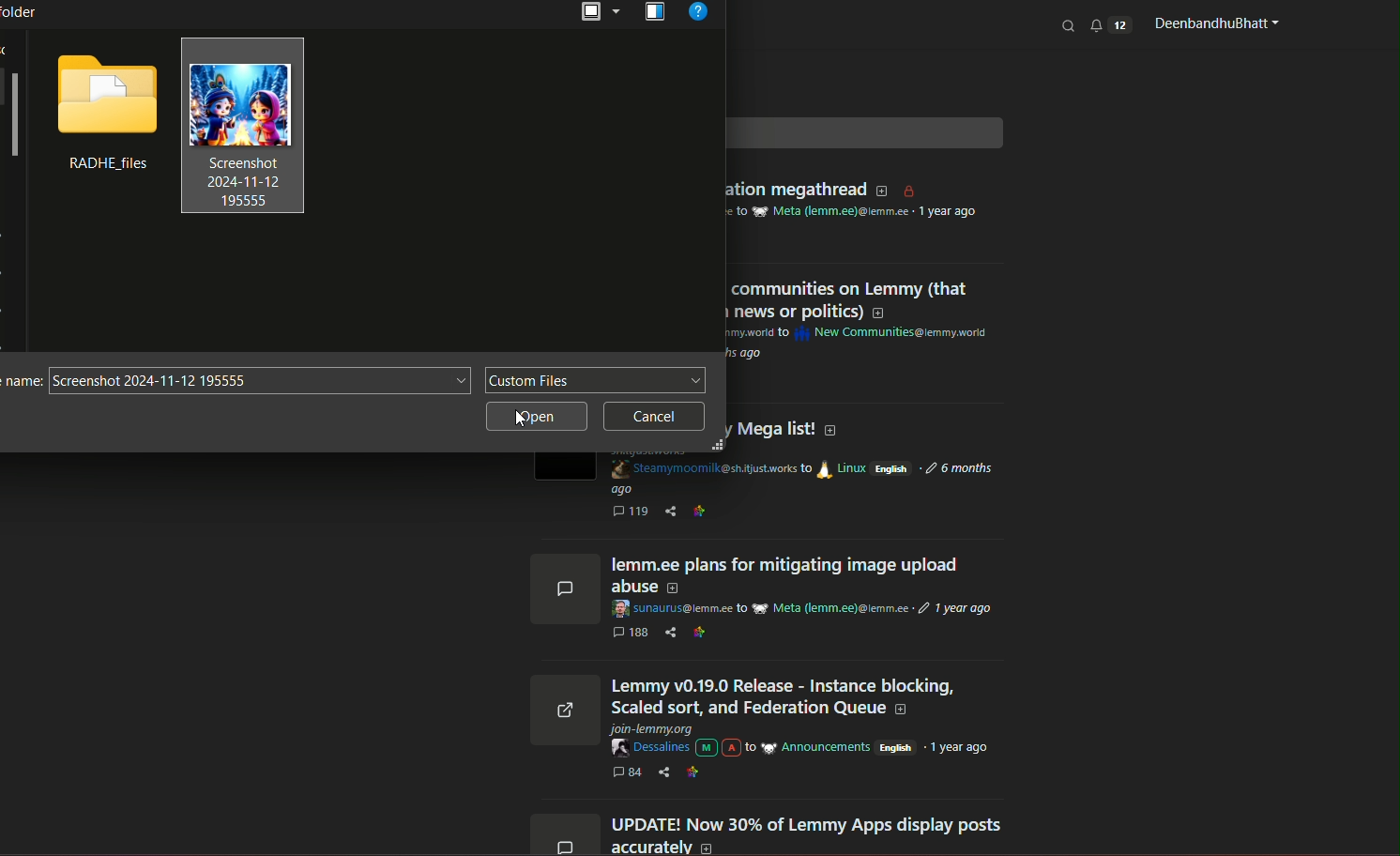  I want to click on image file, so click(243, 127).